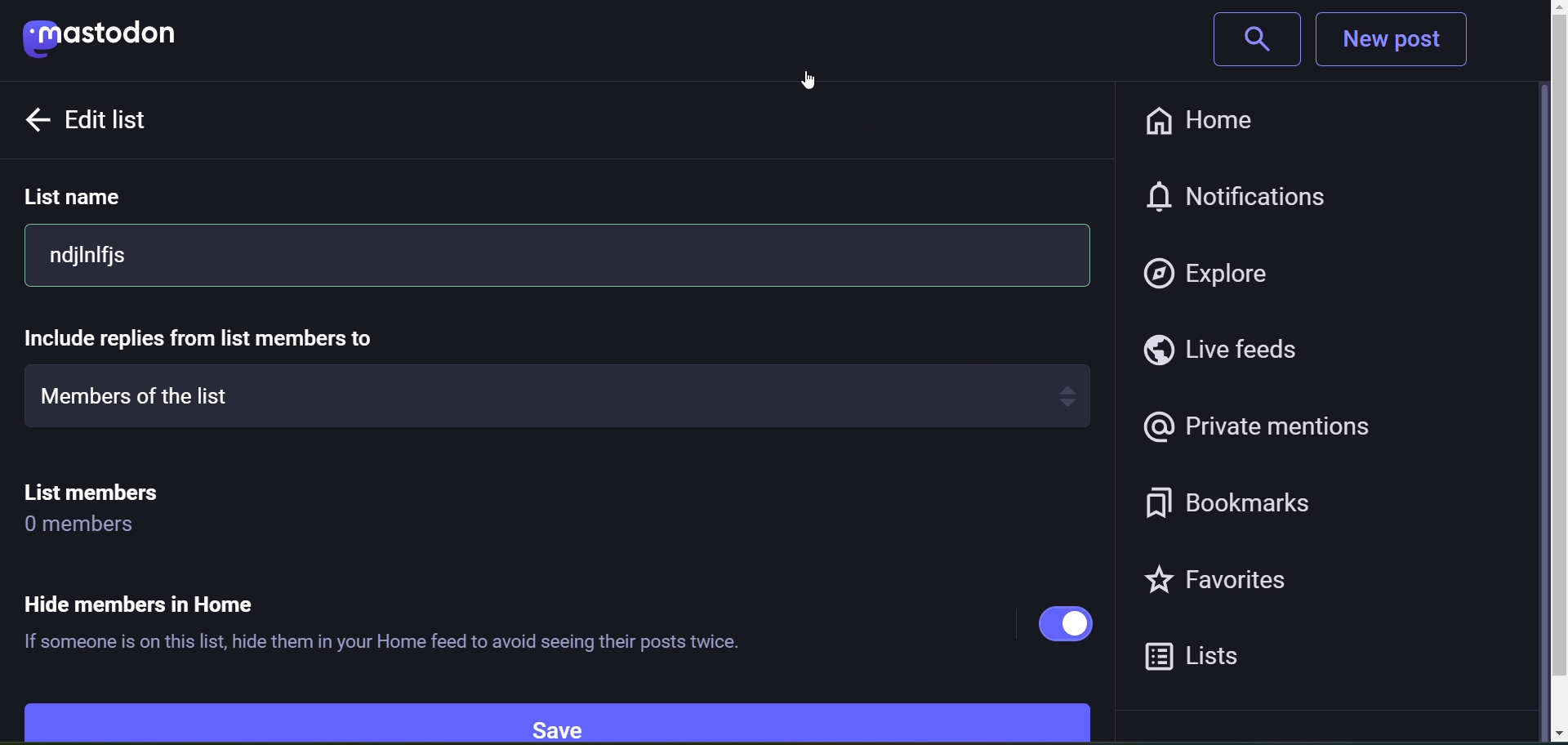 This screenshot has height=745, width=1568. What do you see at coordinates (1236, 352) in the screenshot?
I see `live feeds` at bounding box center [1236, 352].